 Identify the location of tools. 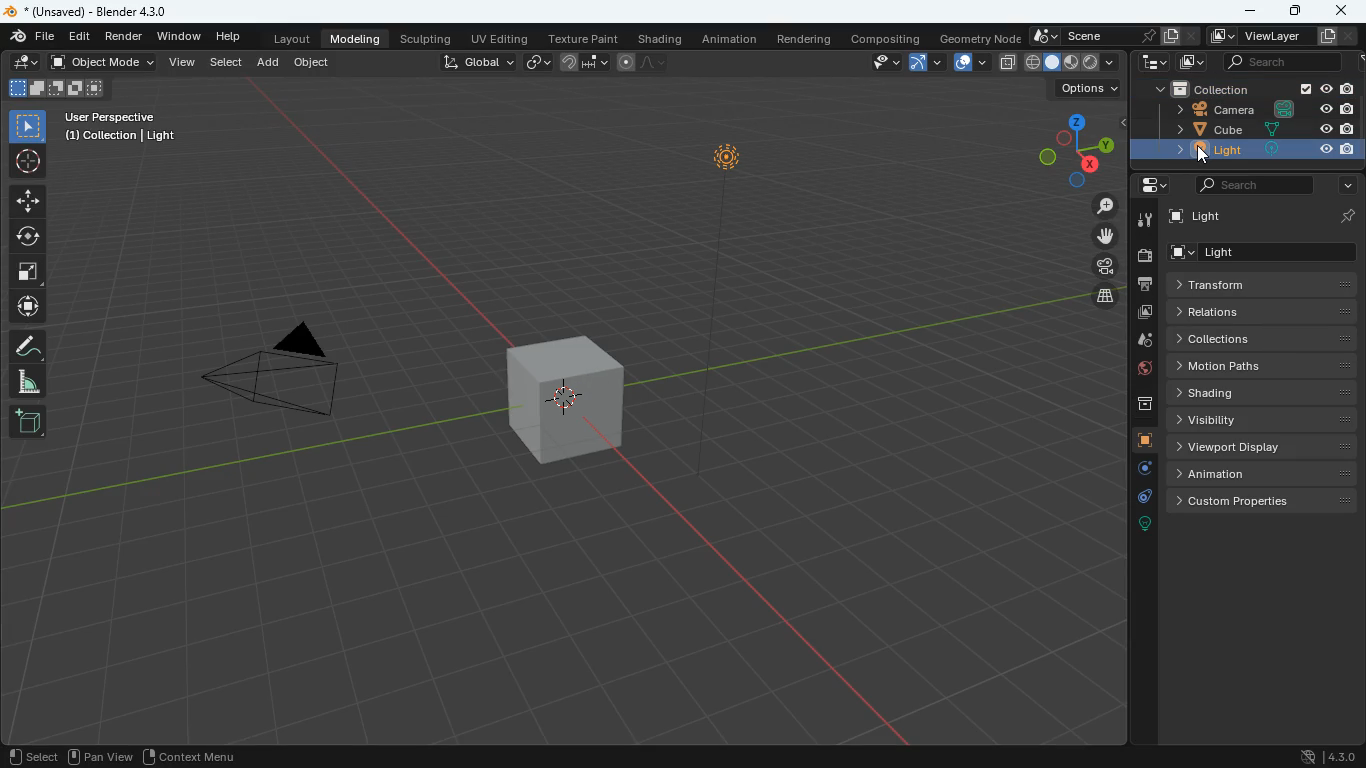
(1144, 221).